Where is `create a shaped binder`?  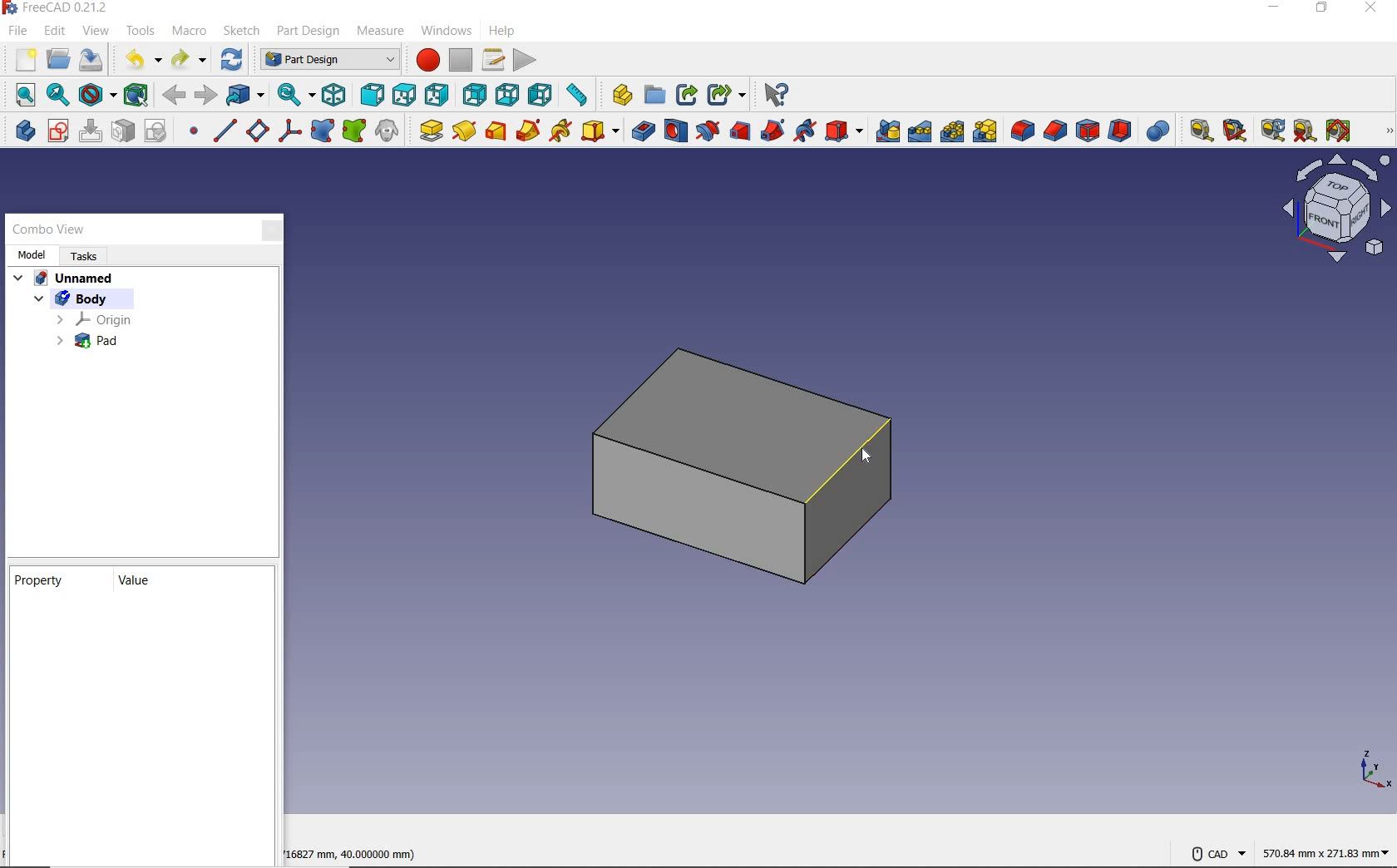
create a shaped binder is located at coordinates (324, 131).